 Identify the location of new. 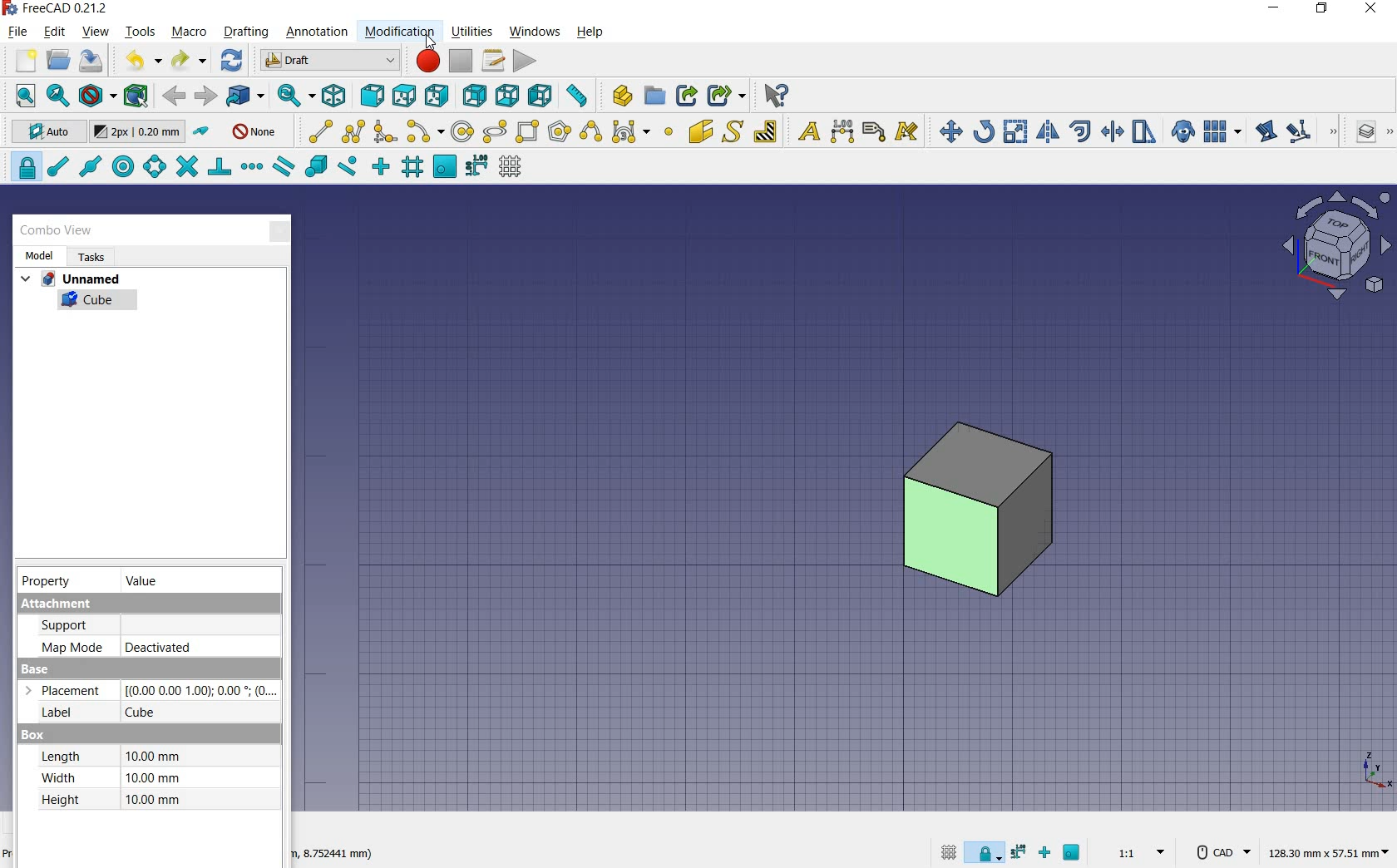
(21, 61).